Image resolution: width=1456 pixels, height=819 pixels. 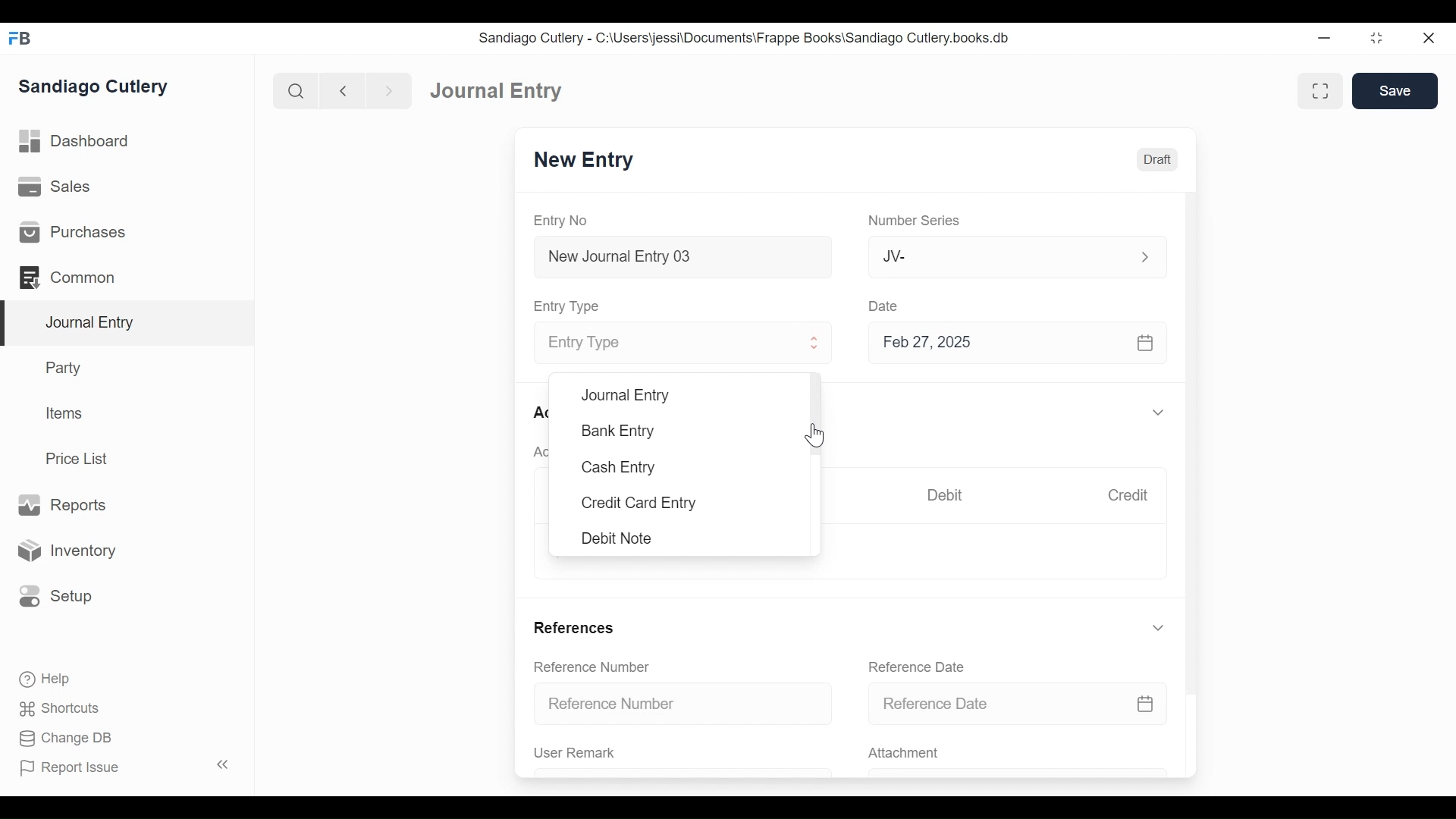 I want to click on Navigate back, so click(x=341, y=91).